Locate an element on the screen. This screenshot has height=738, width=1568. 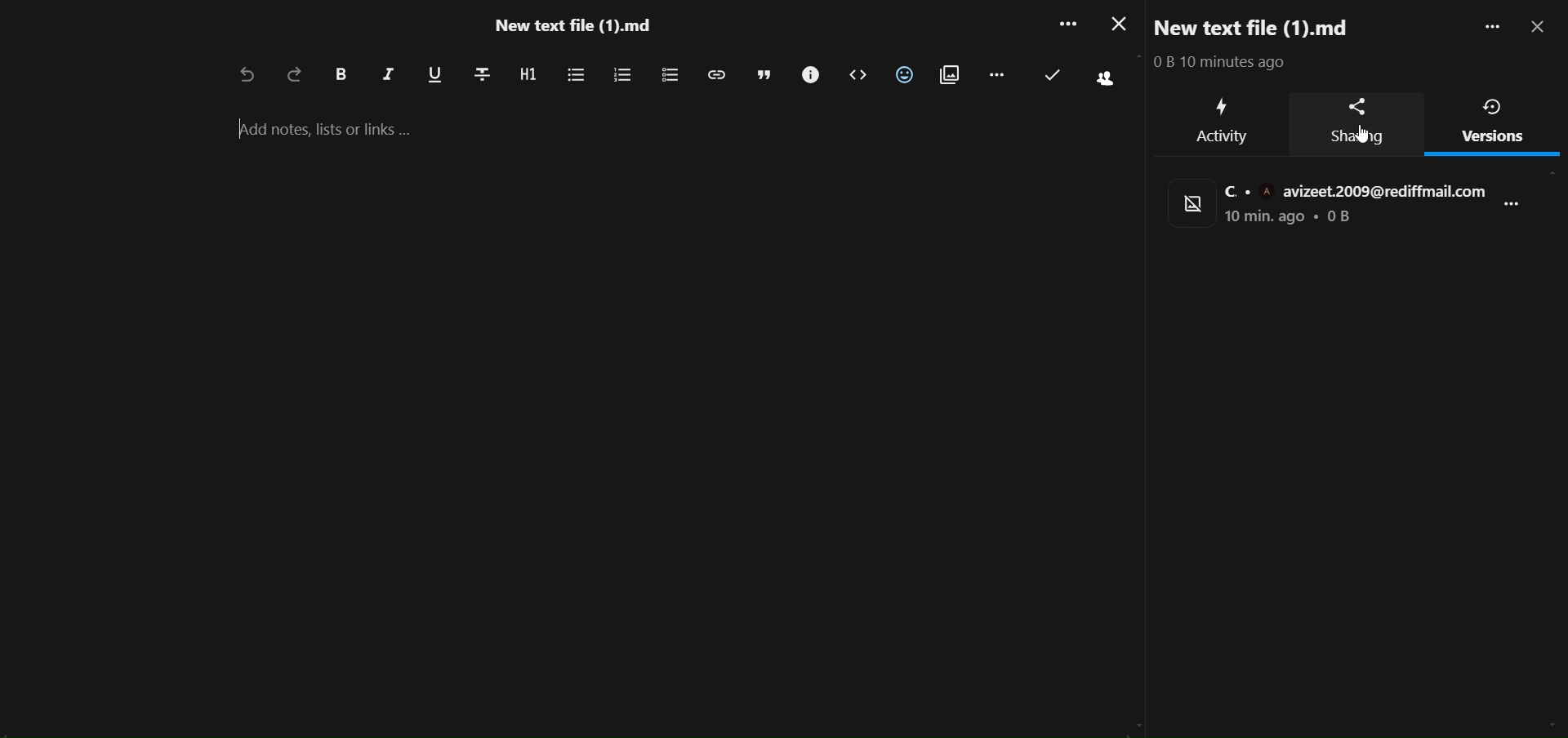
close is located at coordinates (1115, 24).